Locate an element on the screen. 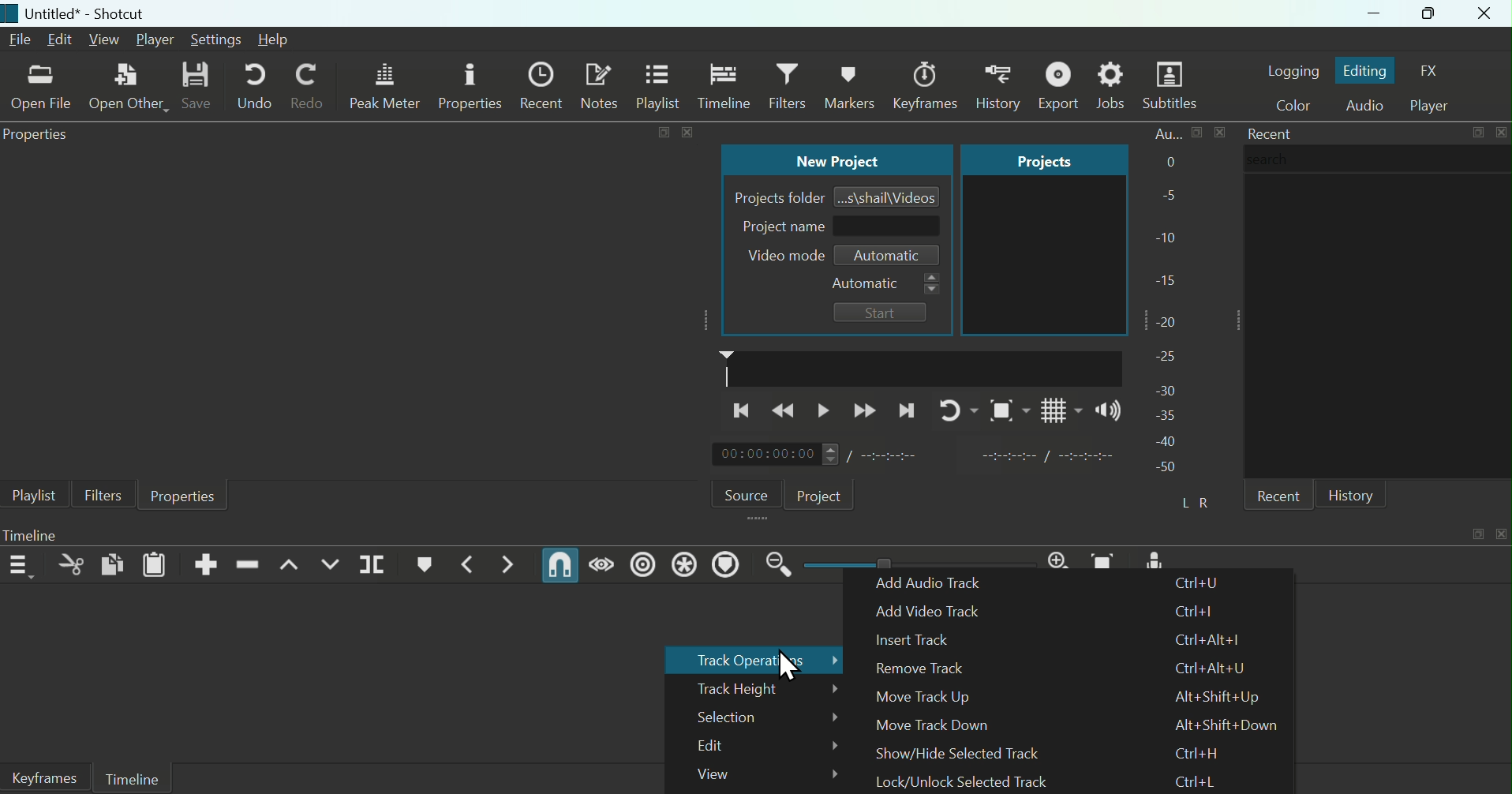 The image size is (1512, 794). Projects is located at coordinates (1029, 159).